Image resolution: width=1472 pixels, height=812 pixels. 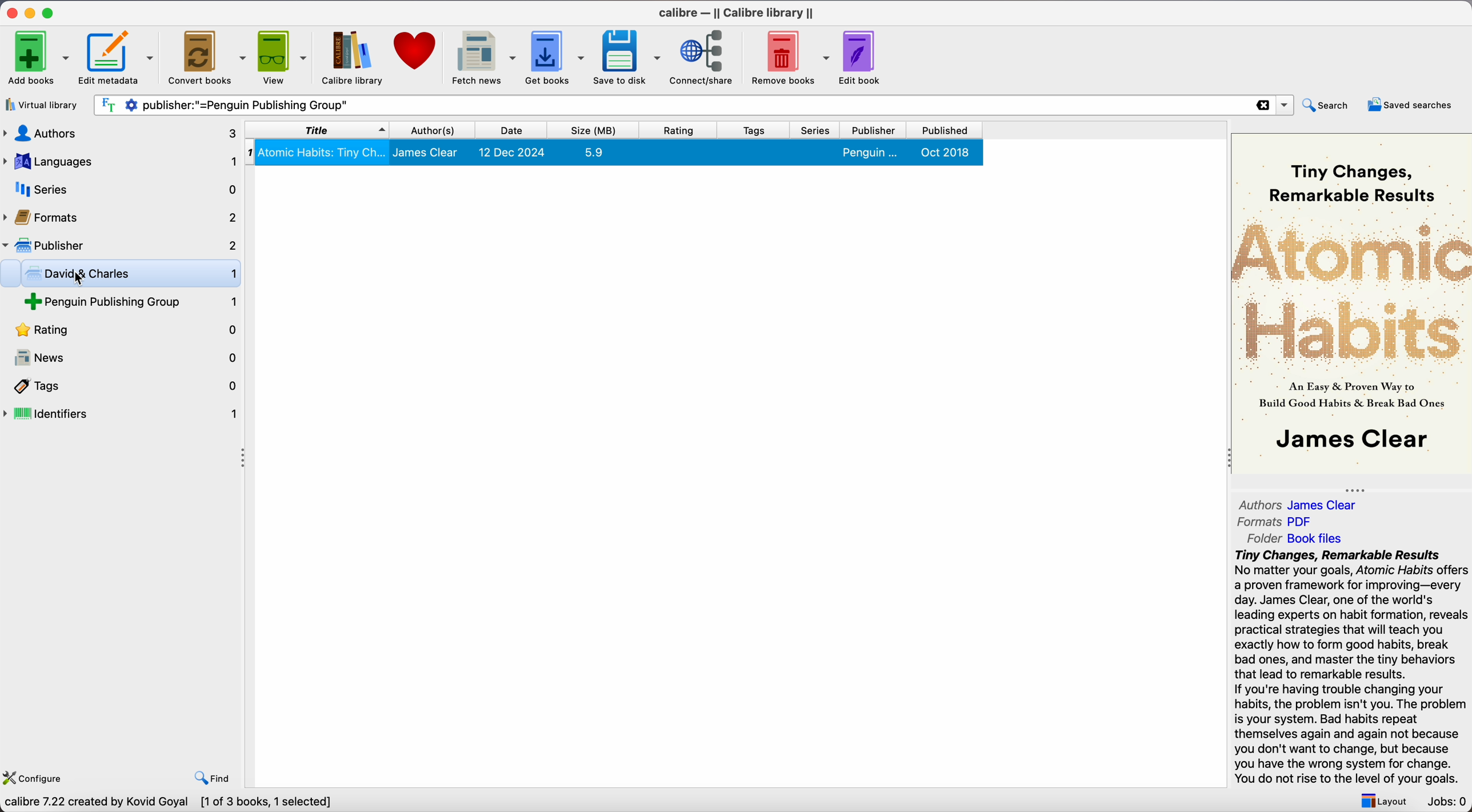 I want to click on news, so click(x=122, y=358).